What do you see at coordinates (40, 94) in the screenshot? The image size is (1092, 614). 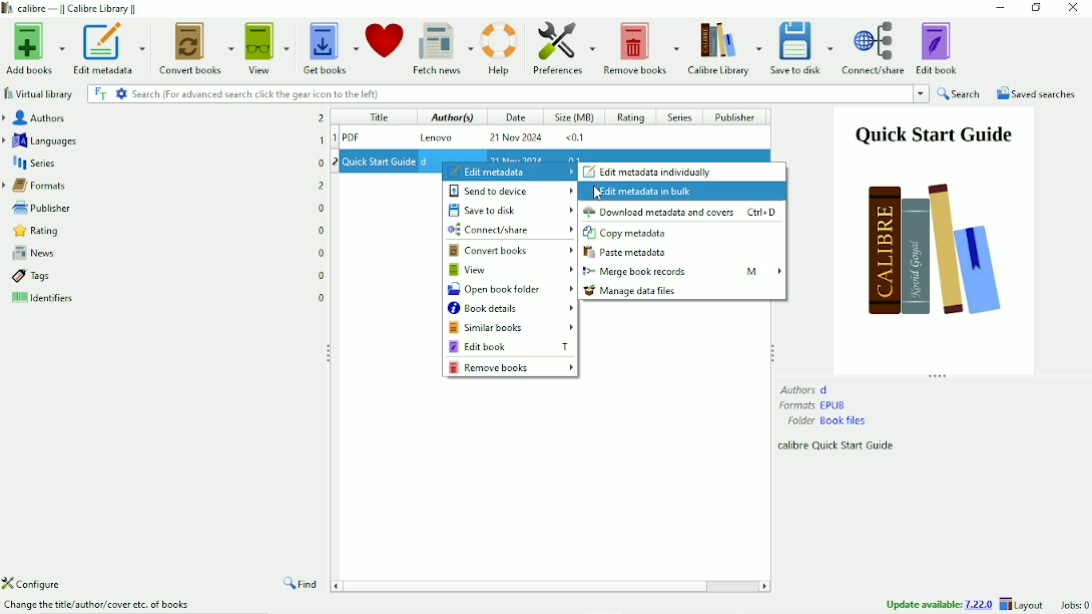 I see `Virtual library` at bounding box center [40, 94].